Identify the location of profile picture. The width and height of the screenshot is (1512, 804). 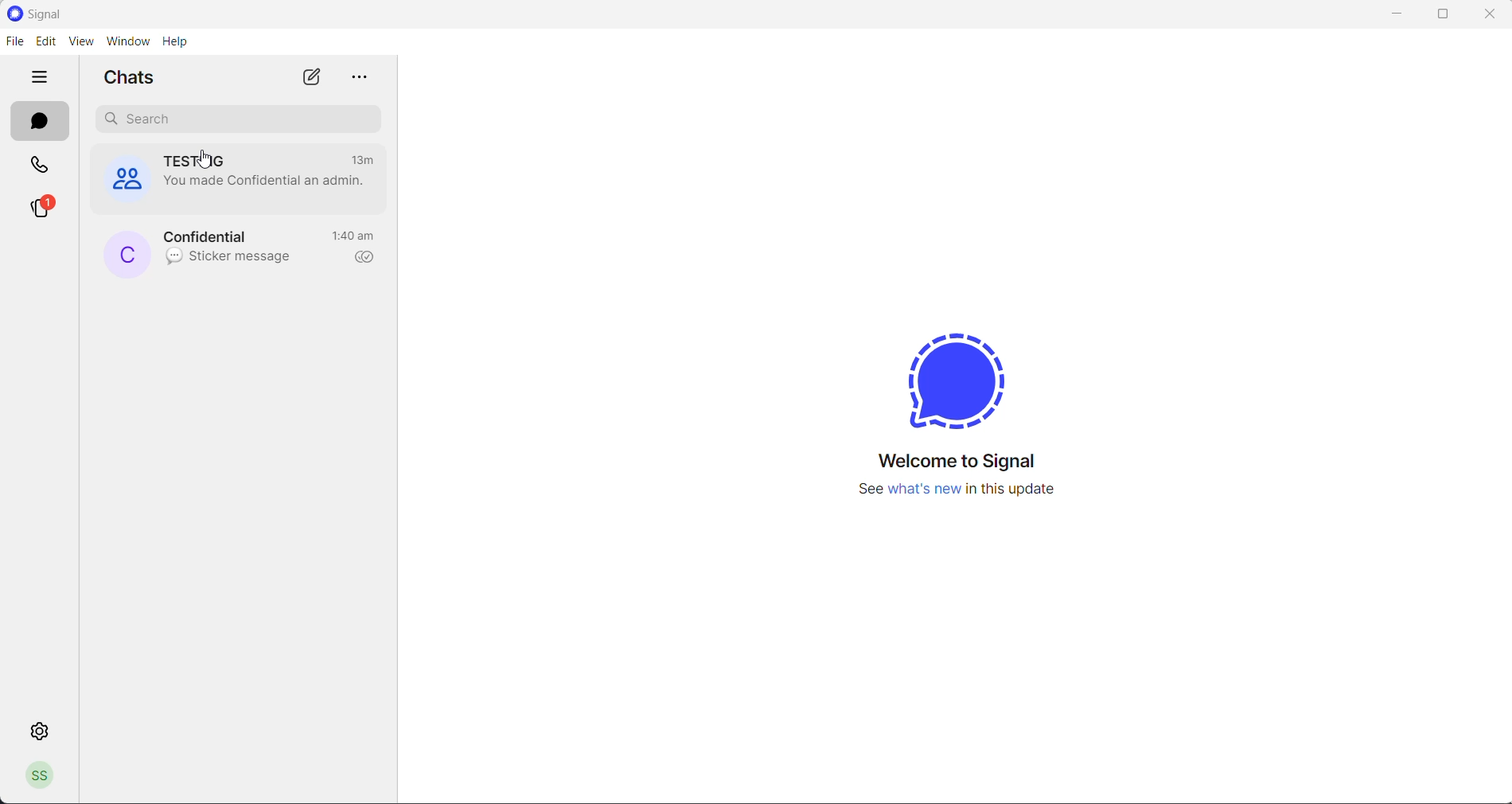
(127, 254).